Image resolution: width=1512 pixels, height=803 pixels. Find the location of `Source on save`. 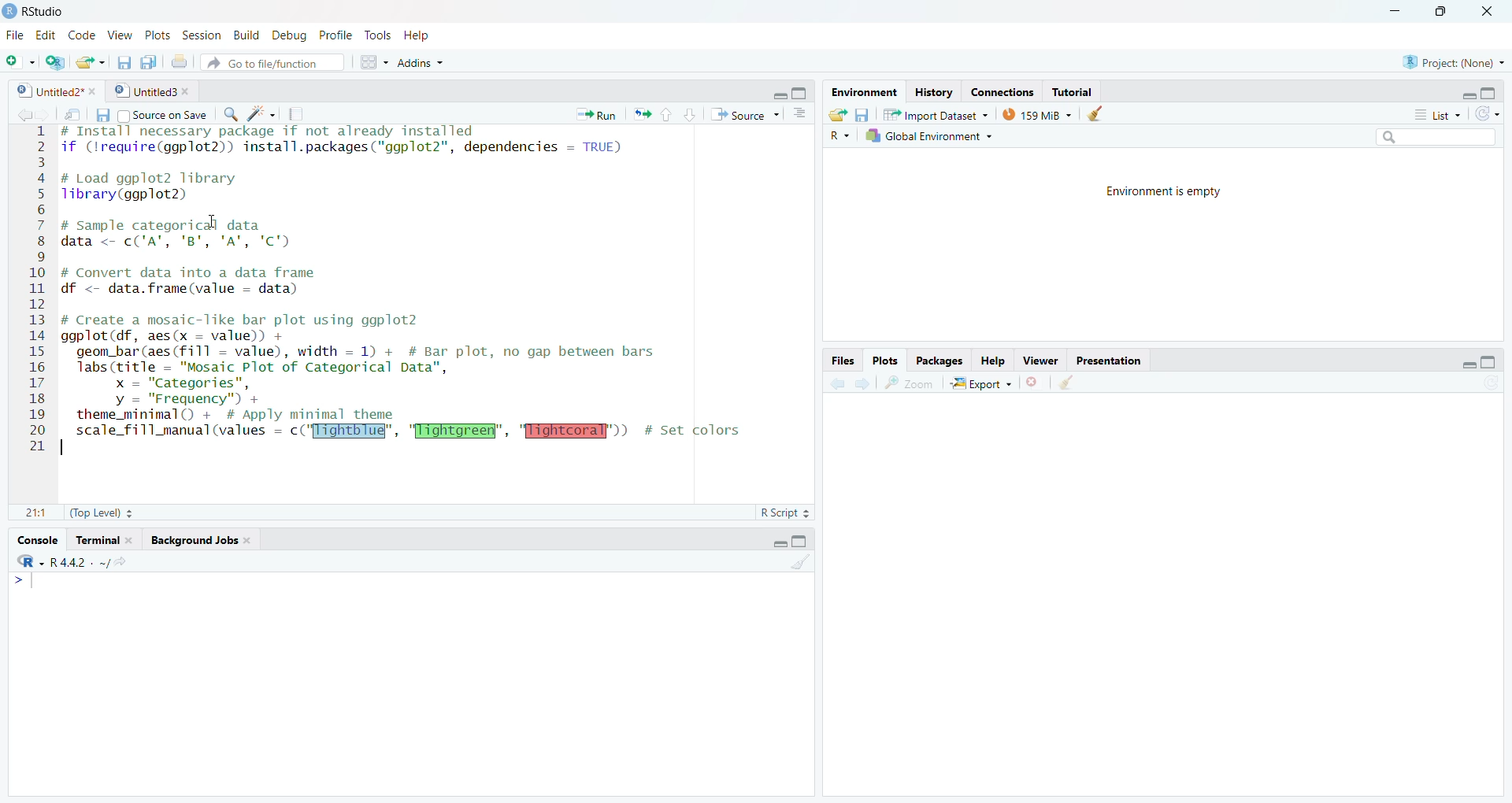

Source on save is located at coordinates (161, 115).